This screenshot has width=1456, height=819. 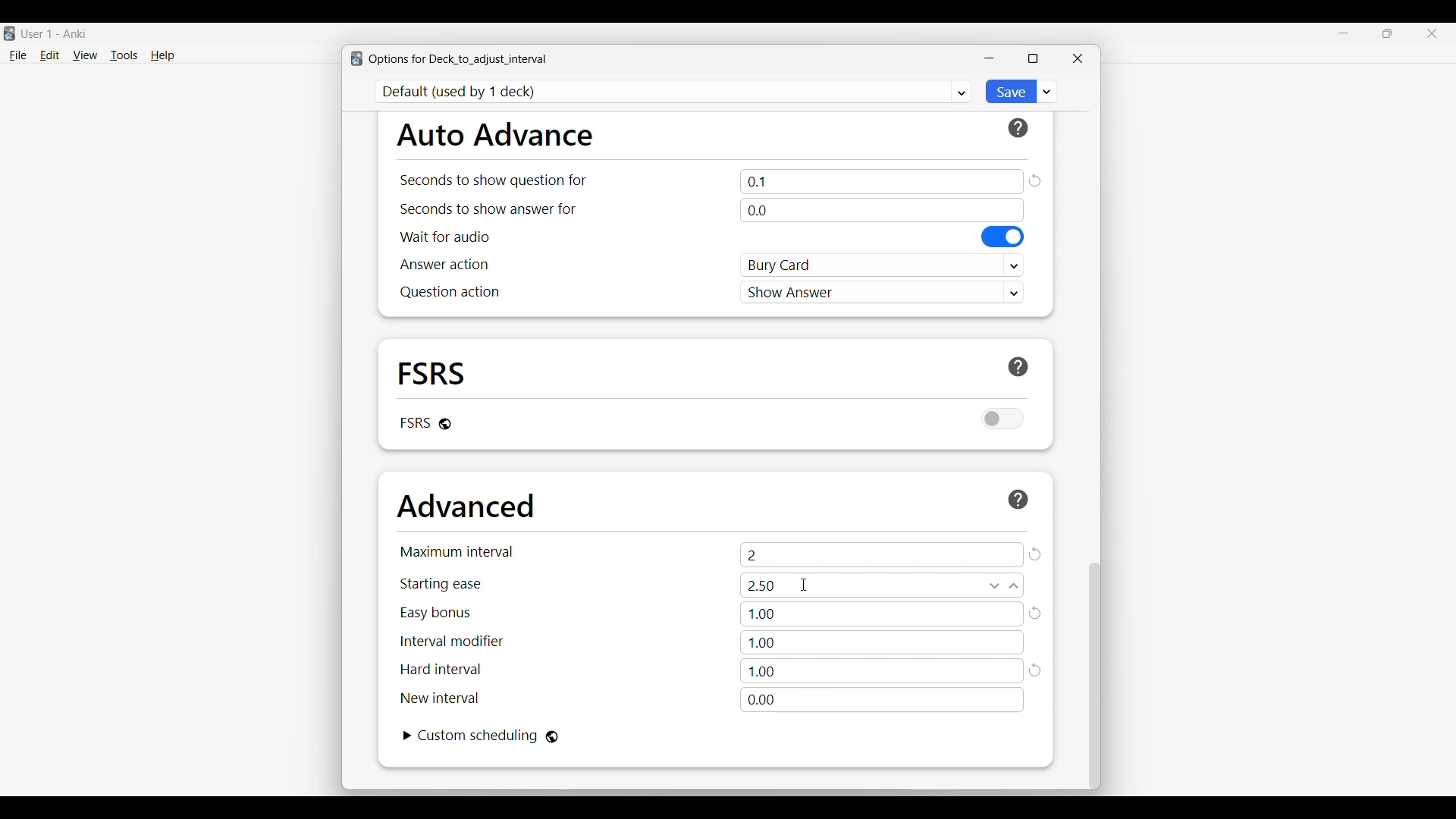 What do you see at coordinates (674, 92) in the screenshot?
I see `Click to access other decks for settings` at bounding box center [674, 92].